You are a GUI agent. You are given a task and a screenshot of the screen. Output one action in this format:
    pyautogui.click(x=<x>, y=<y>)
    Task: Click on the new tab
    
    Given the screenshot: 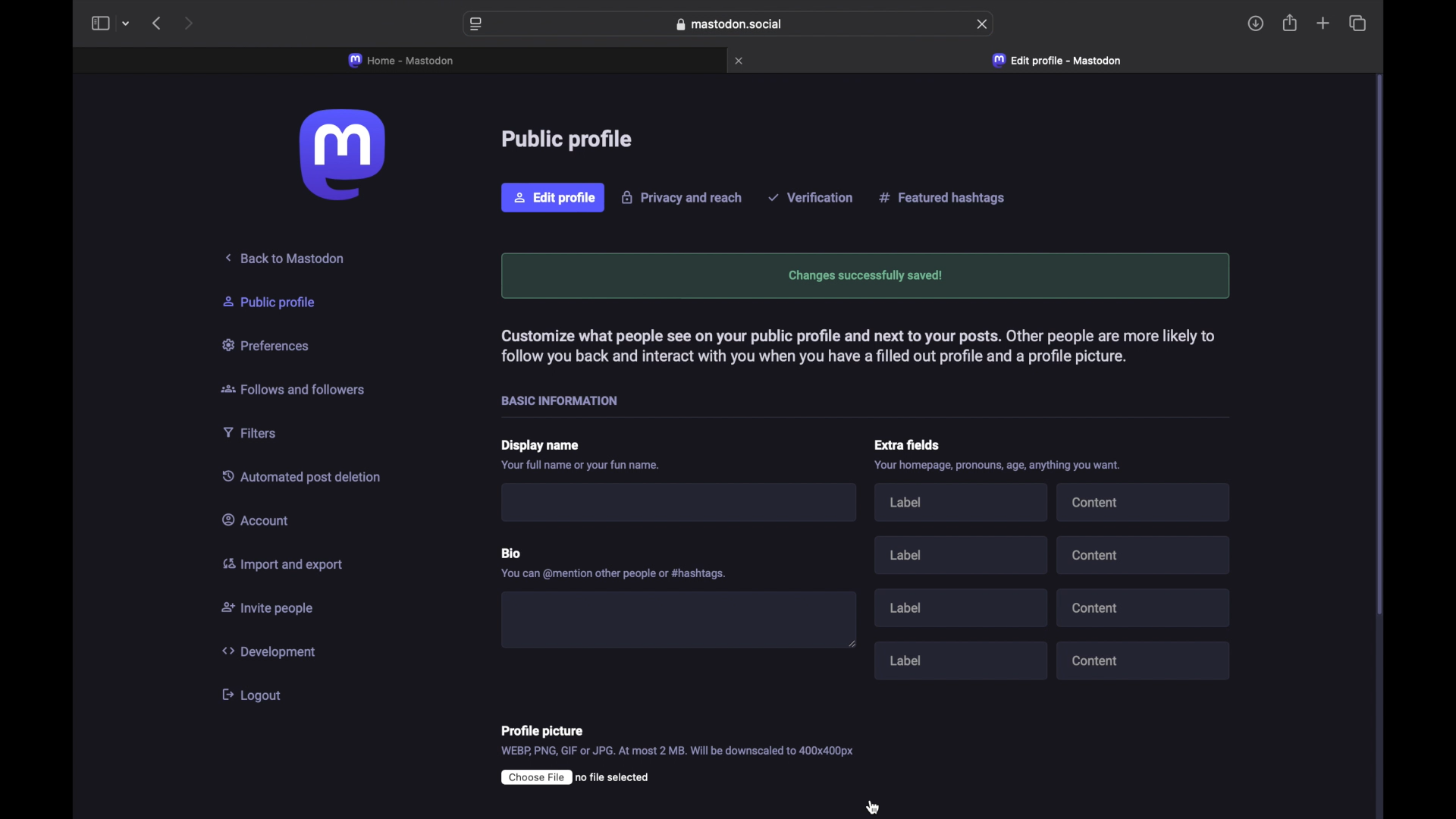 What is the action you would take?
    pyautogui.click(x=1323, y=25)
    